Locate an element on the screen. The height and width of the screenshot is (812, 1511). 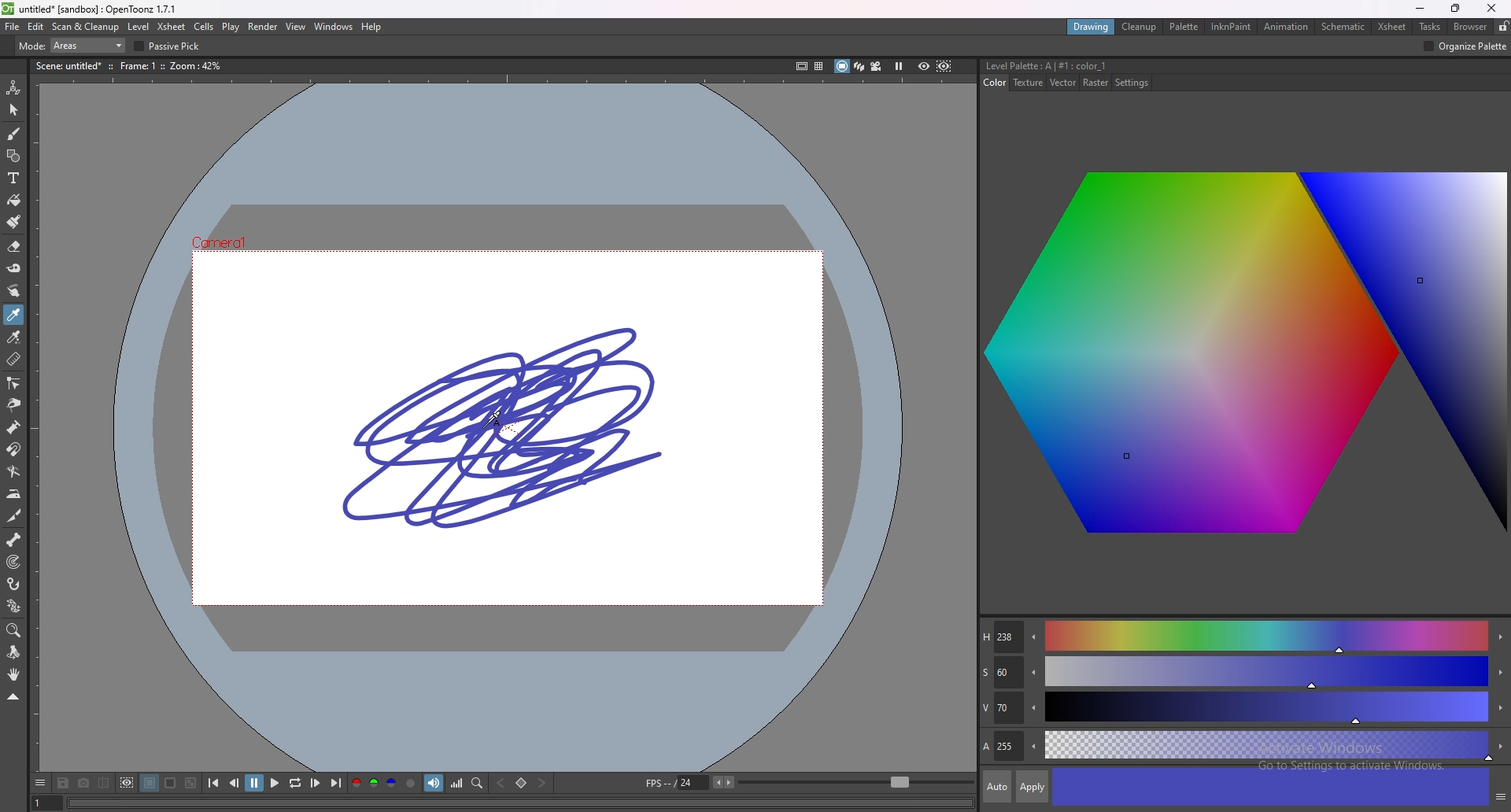
eraser tool is located at coordinates (14, 246).